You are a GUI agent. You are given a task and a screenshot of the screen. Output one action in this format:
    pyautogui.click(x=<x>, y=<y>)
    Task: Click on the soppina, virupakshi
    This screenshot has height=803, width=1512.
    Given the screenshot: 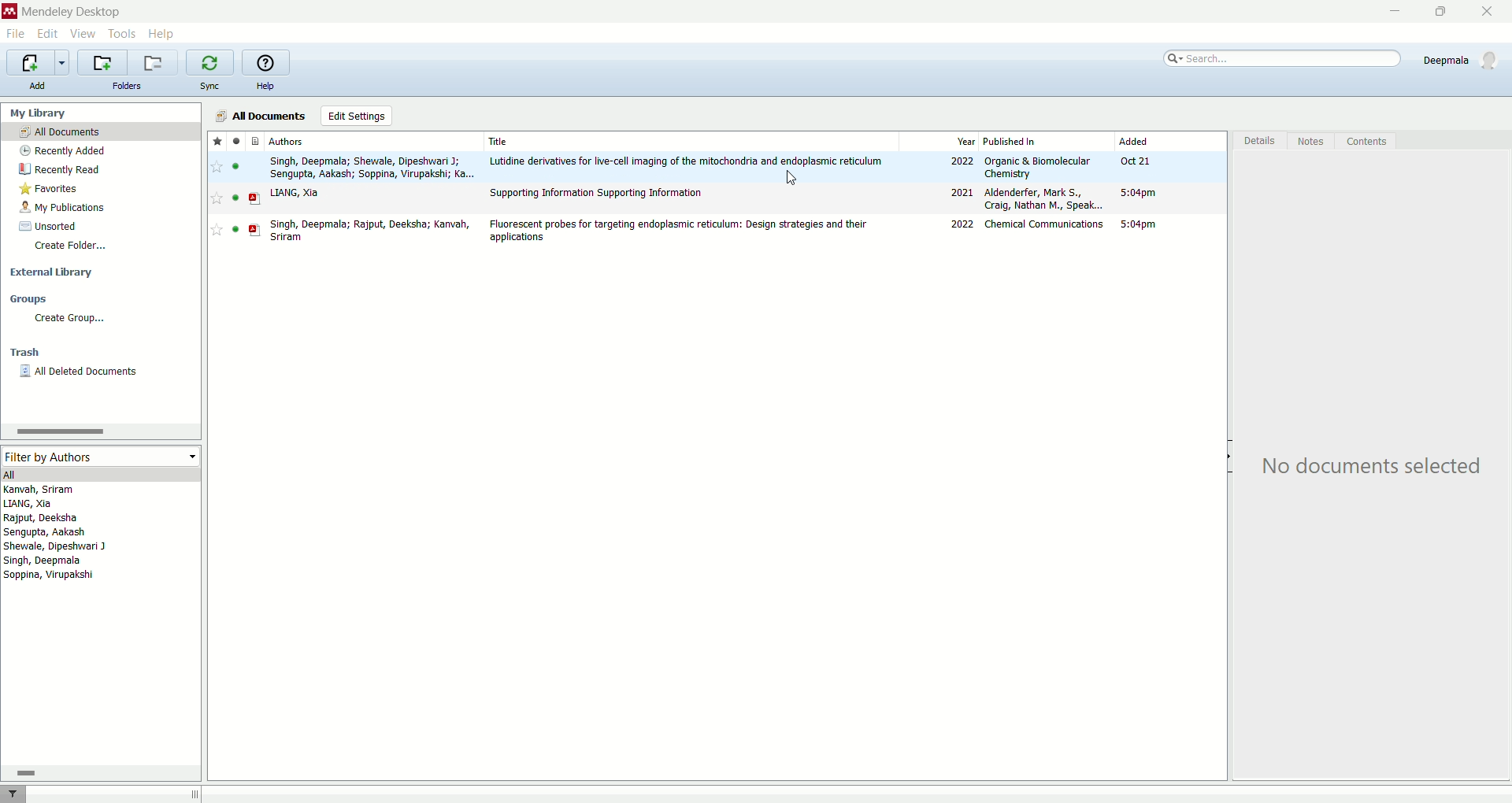 What is the action you would take?
    pyautogui.click(x=50, y=574)
    